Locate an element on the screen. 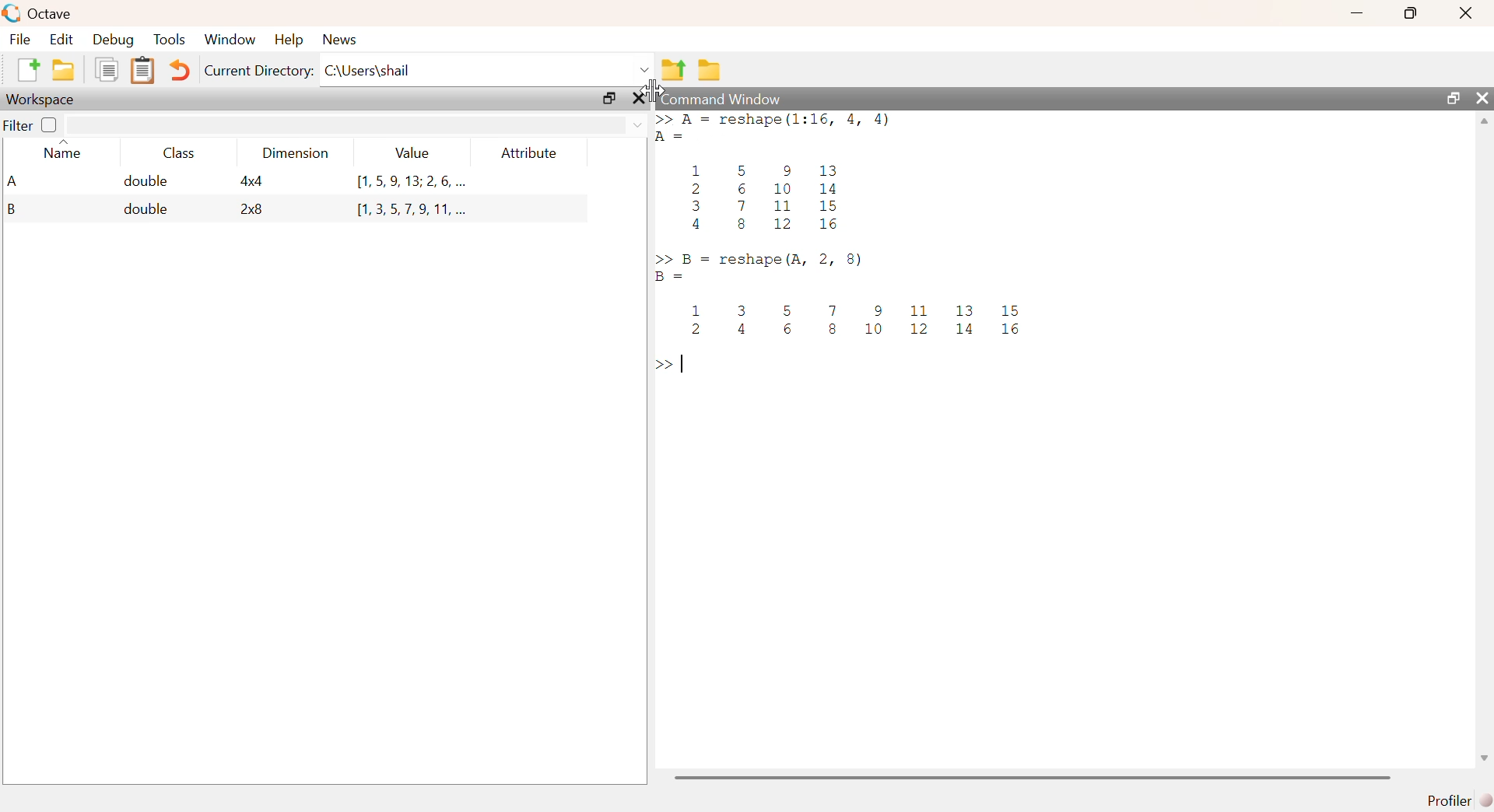  open an existing file in editor is located at coordinates (65, 70).